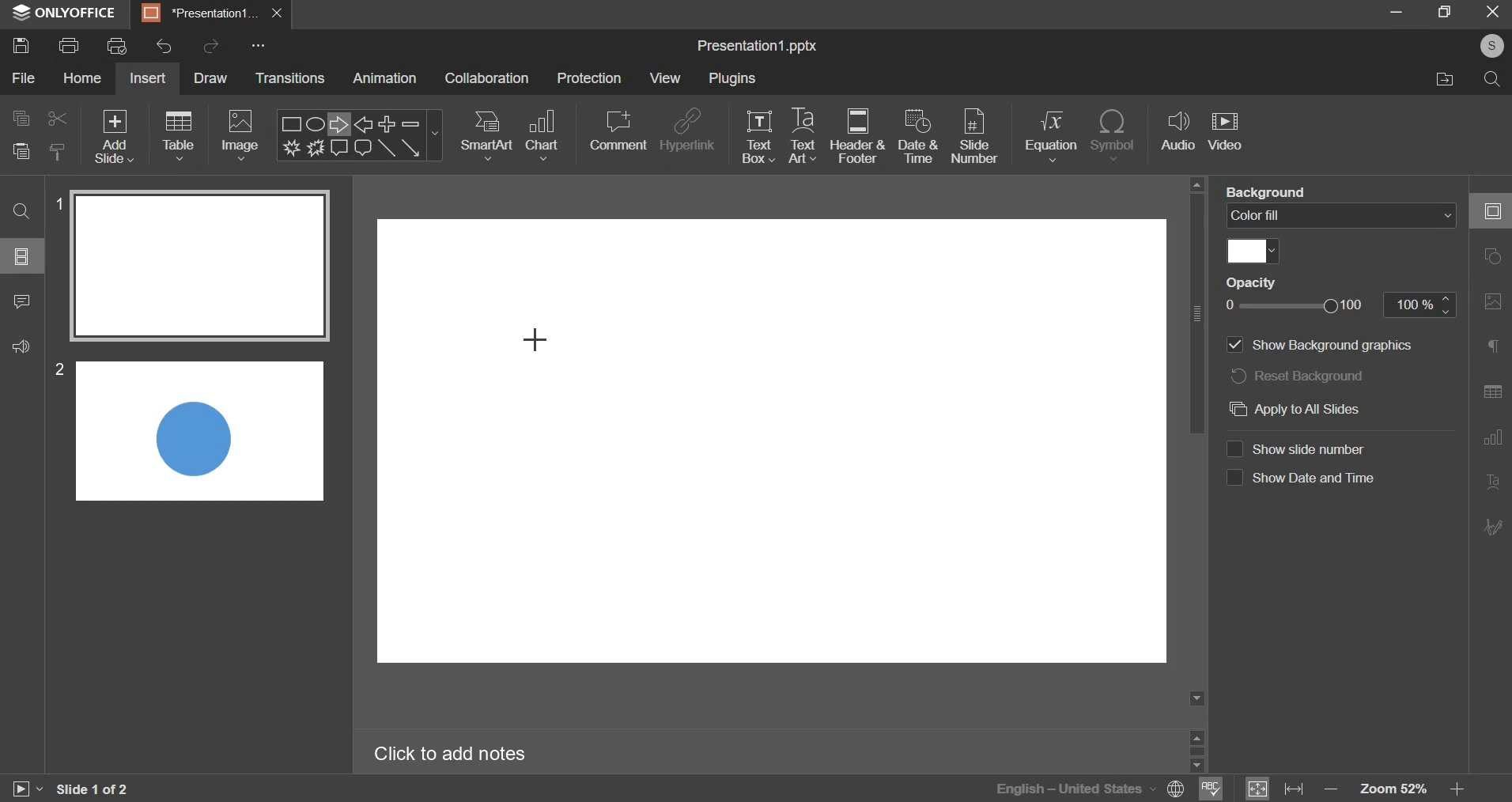  I want to click on date & time, so click(920, 138).